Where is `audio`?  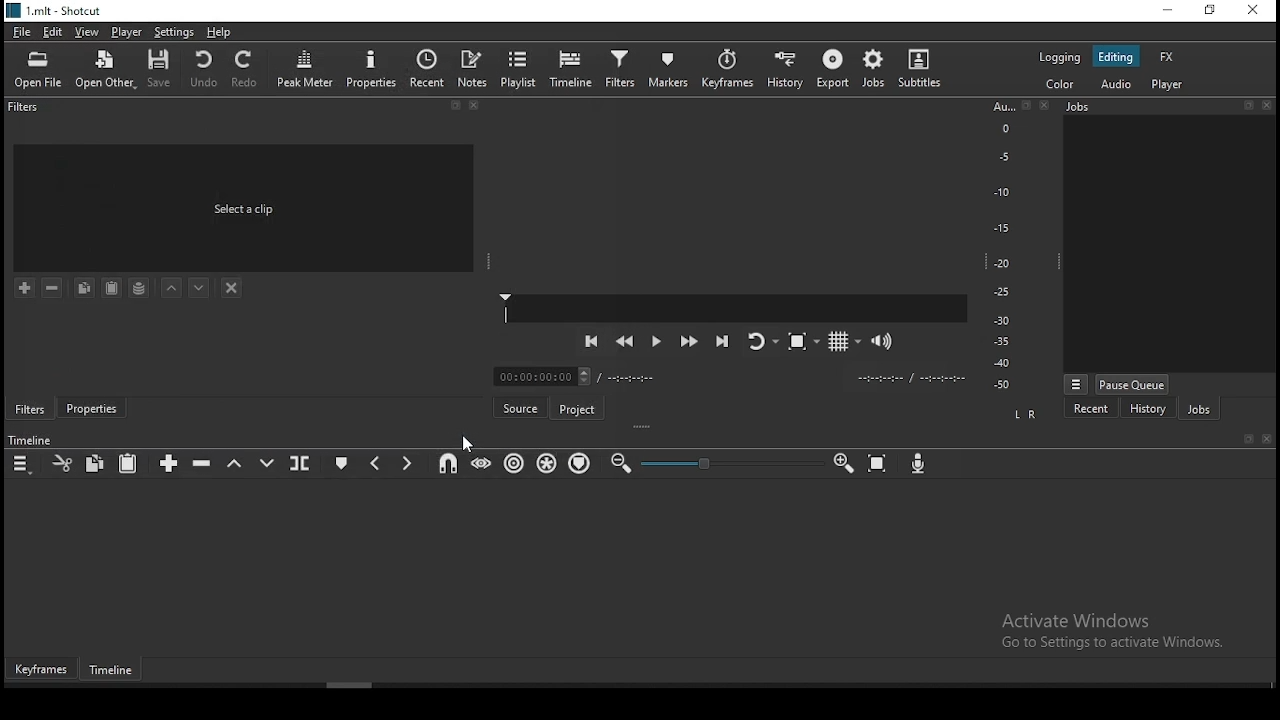
audio is located at coordinates (1119, 85).